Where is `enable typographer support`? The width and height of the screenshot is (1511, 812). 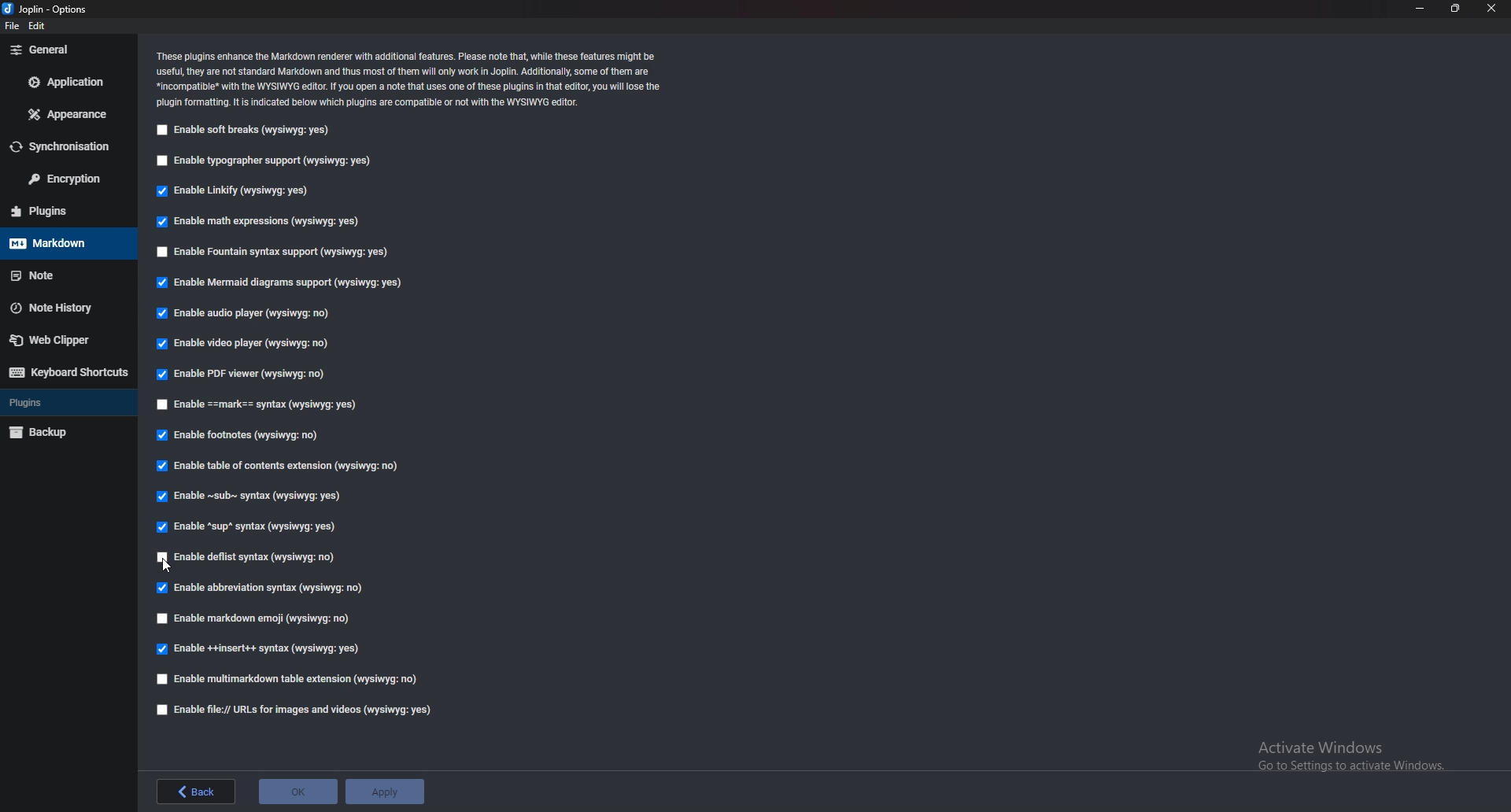 enable typographer support is located at coordinates (268, 161).